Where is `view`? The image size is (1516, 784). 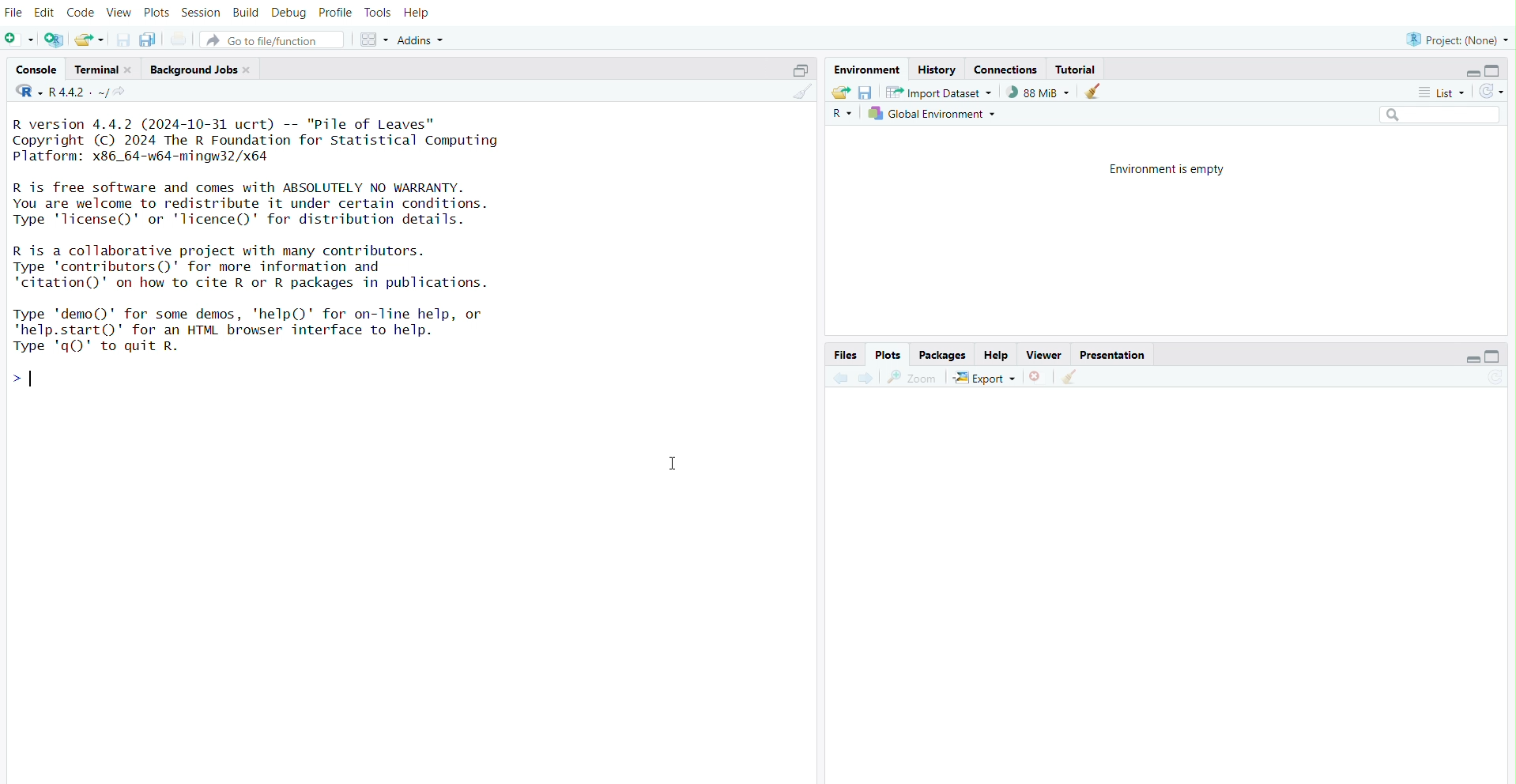
view is located at coordinates (119, 9).